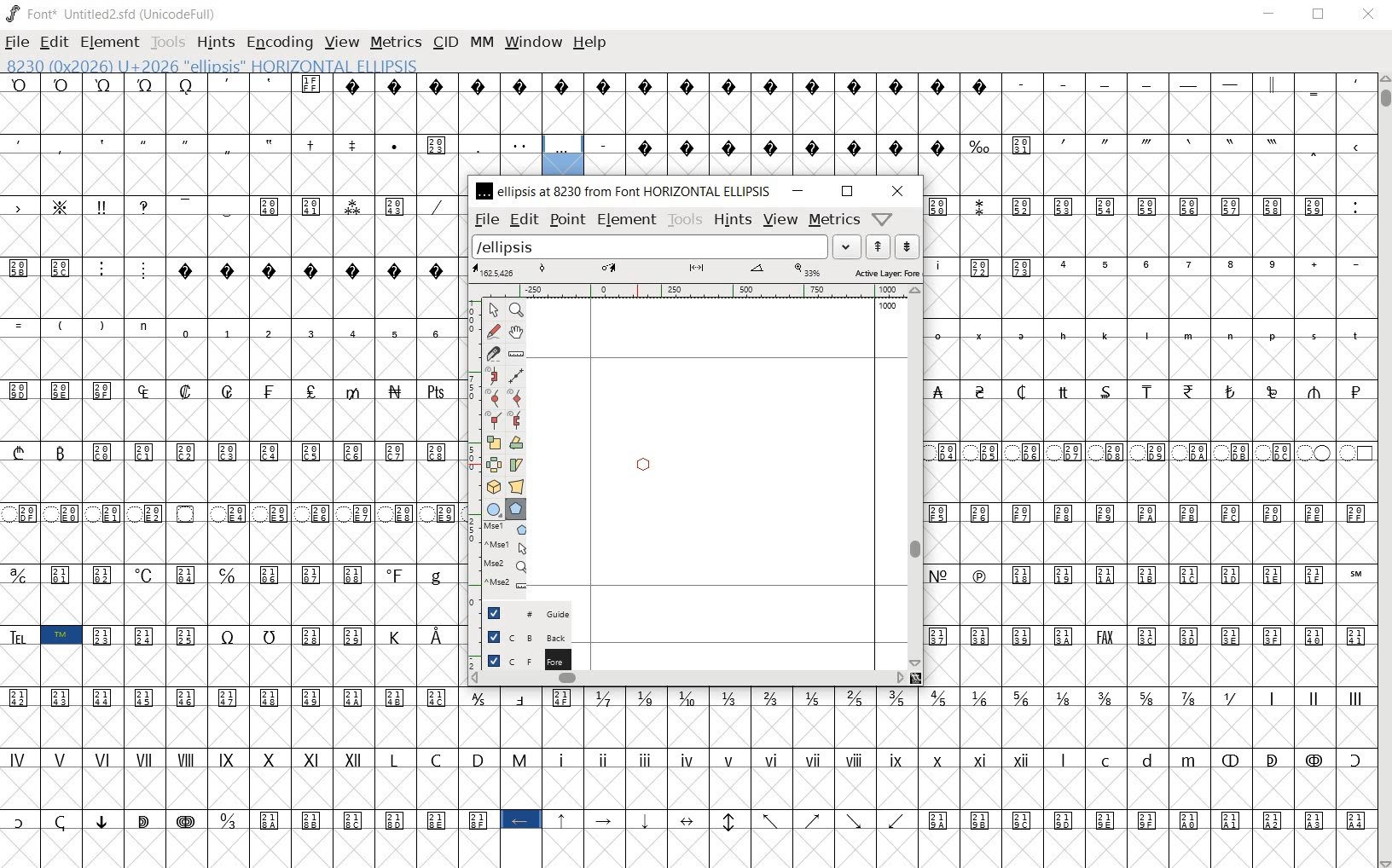  I want to click on ENCODING, so click(278, 43).